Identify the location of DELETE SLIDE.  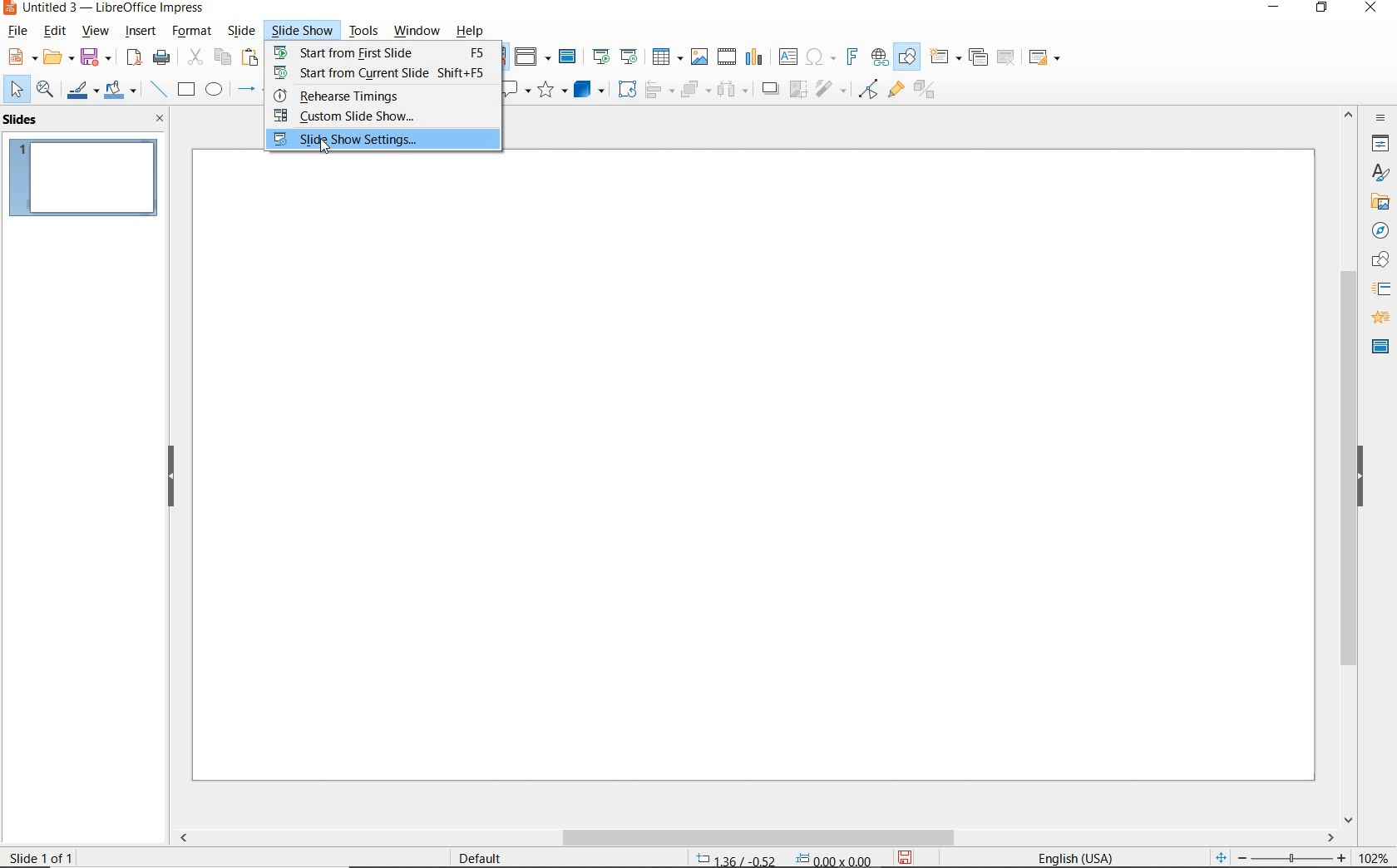
(1005, 57).